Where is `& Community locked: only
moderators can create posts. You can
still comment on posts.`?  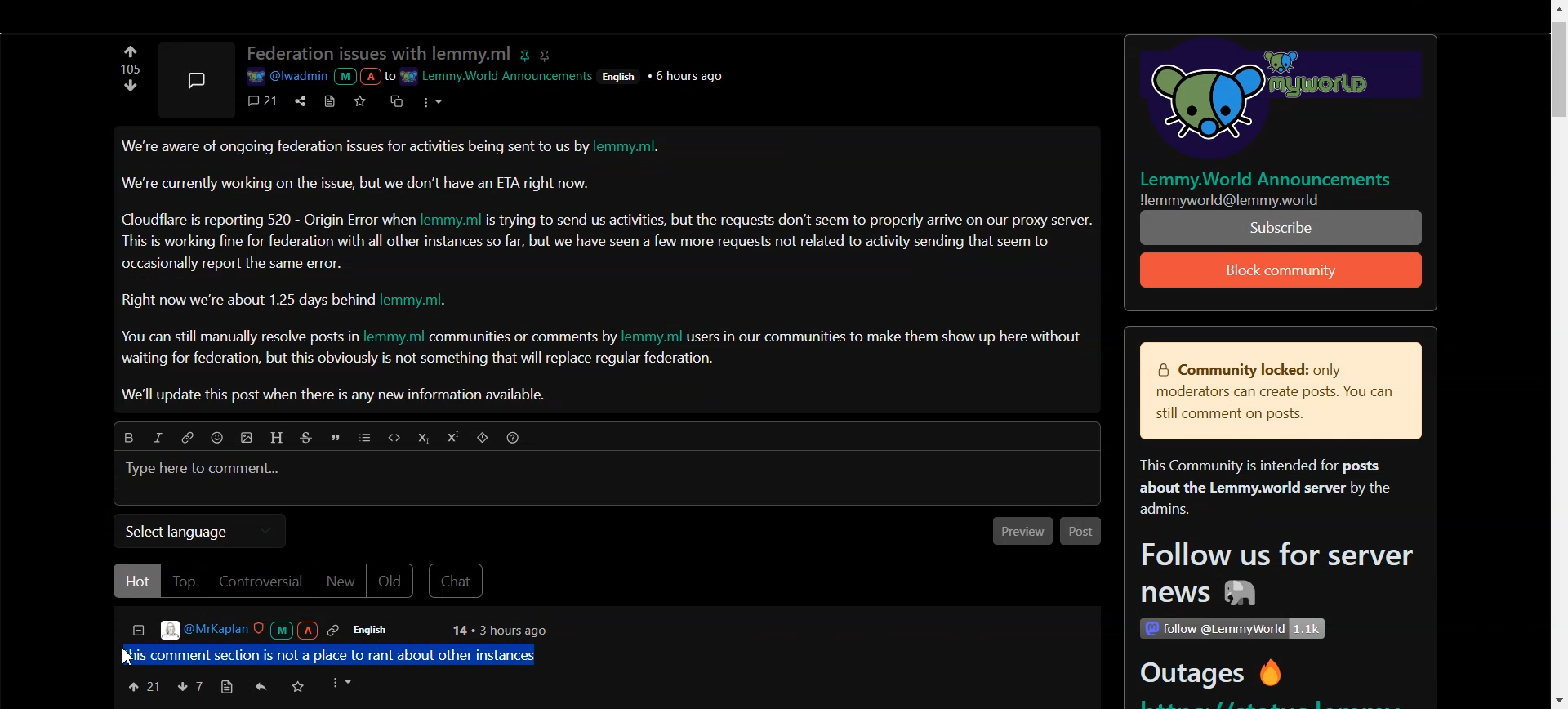
& Community locked: only
moderators can create posts. You can
still comment on posts. is located at coordinates (1269, 393).